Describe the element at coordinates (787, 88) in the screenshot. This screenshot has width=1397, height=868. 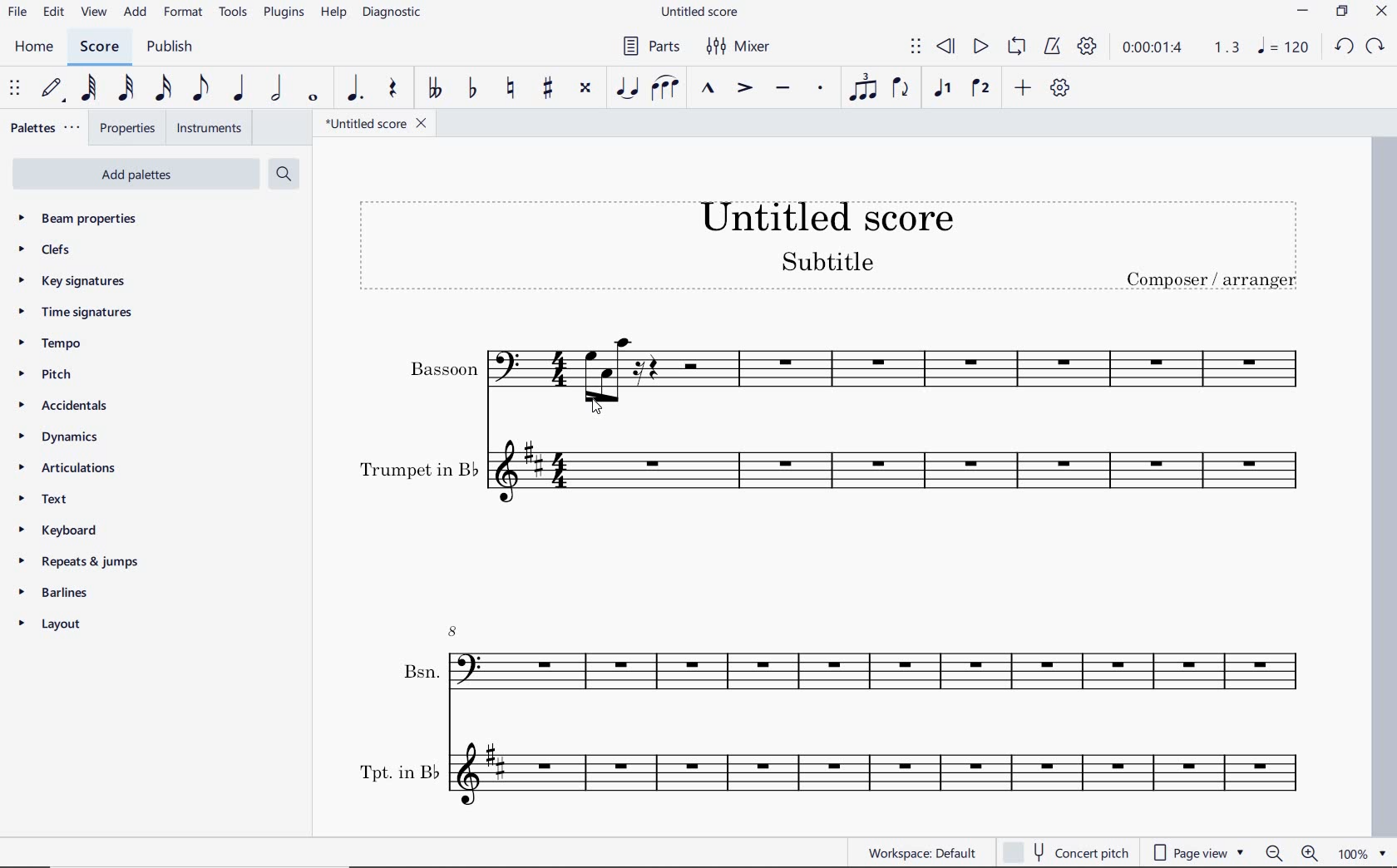
I see `tenuto` at that location.